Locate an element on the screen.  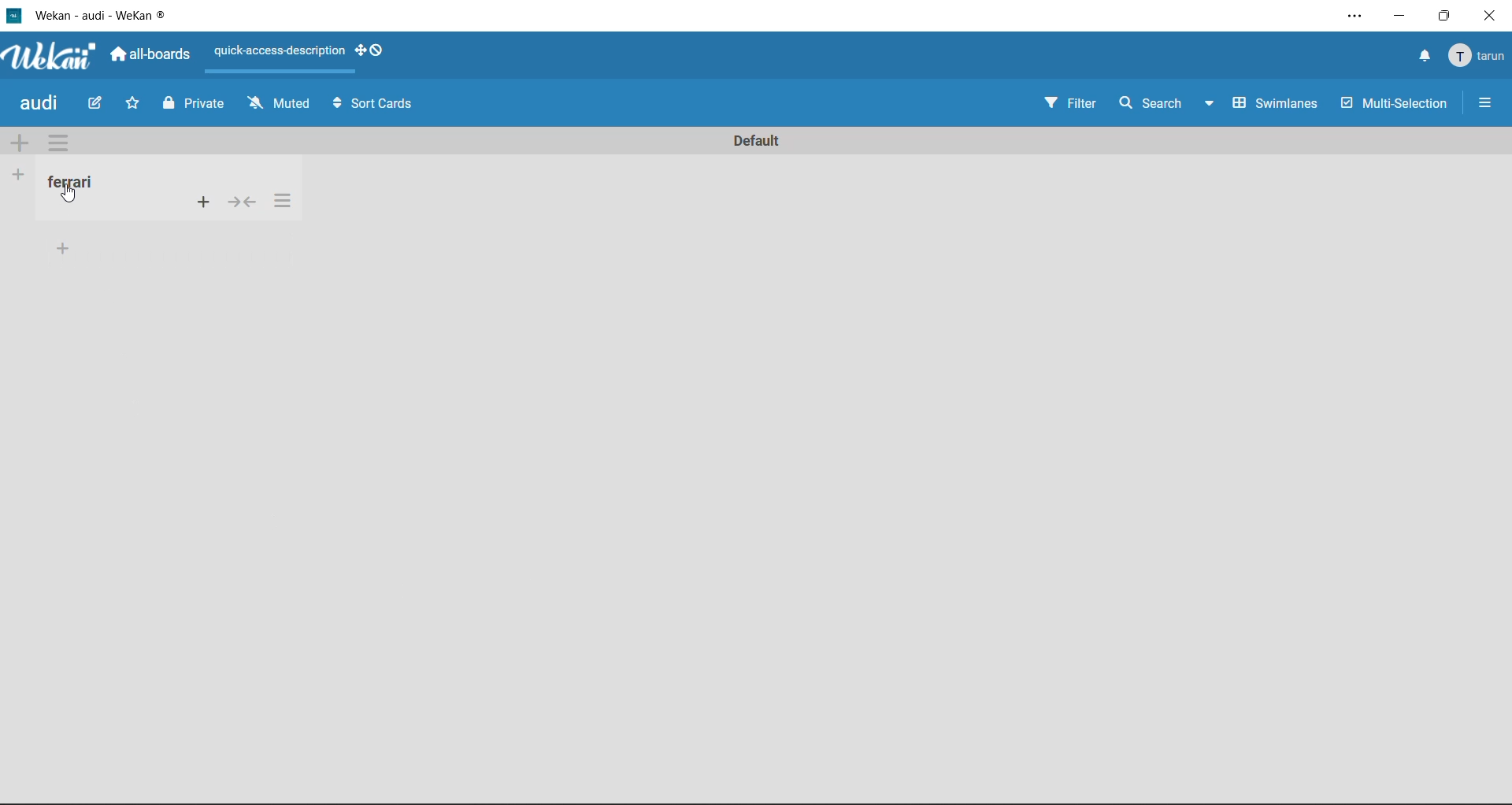
Default is located at coordinates (756, 136).